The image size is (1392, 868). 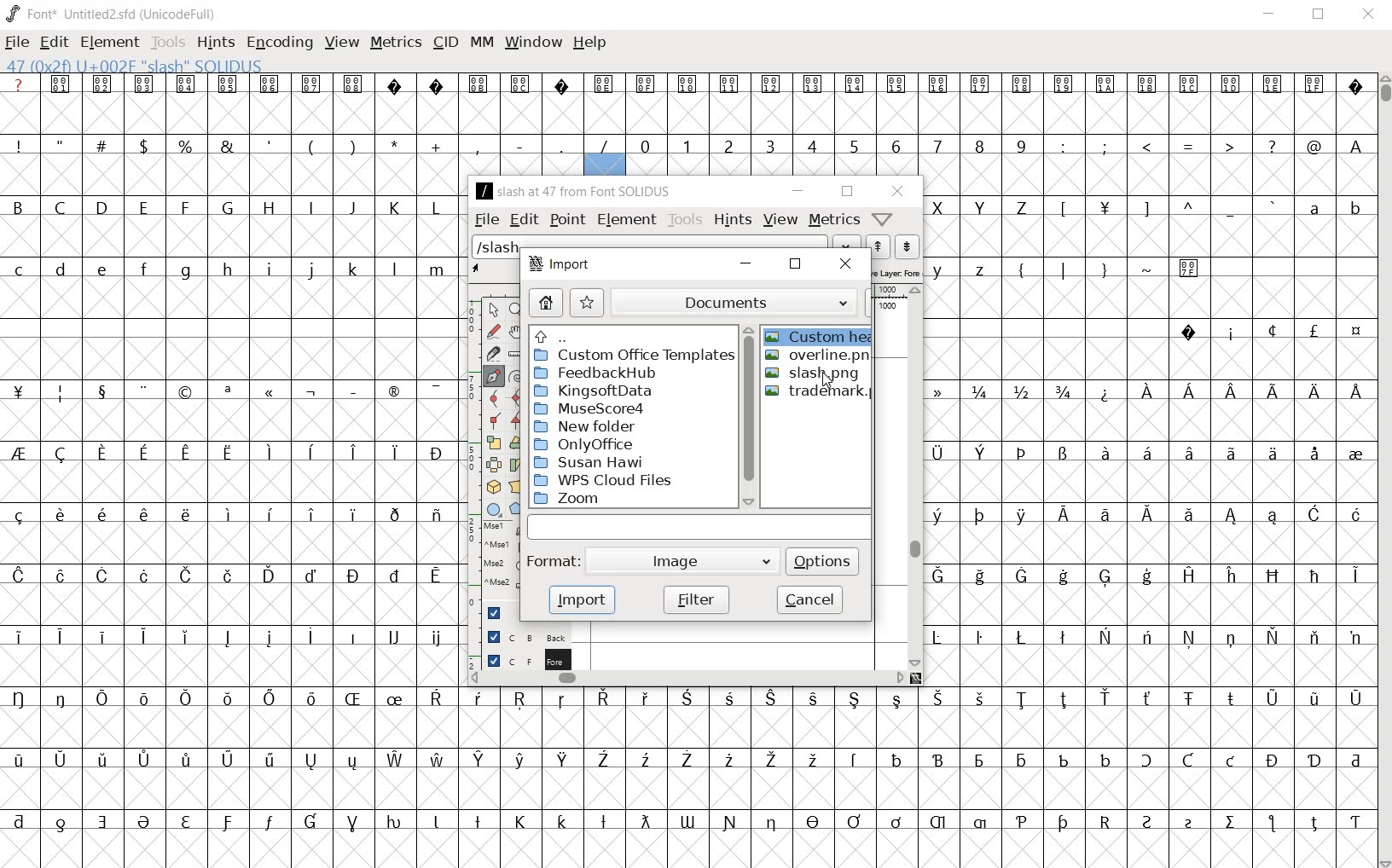 What do you see at coordinates (578, 499) in the screenshot?
I see `Zoom` at bounding box center [578, 499].